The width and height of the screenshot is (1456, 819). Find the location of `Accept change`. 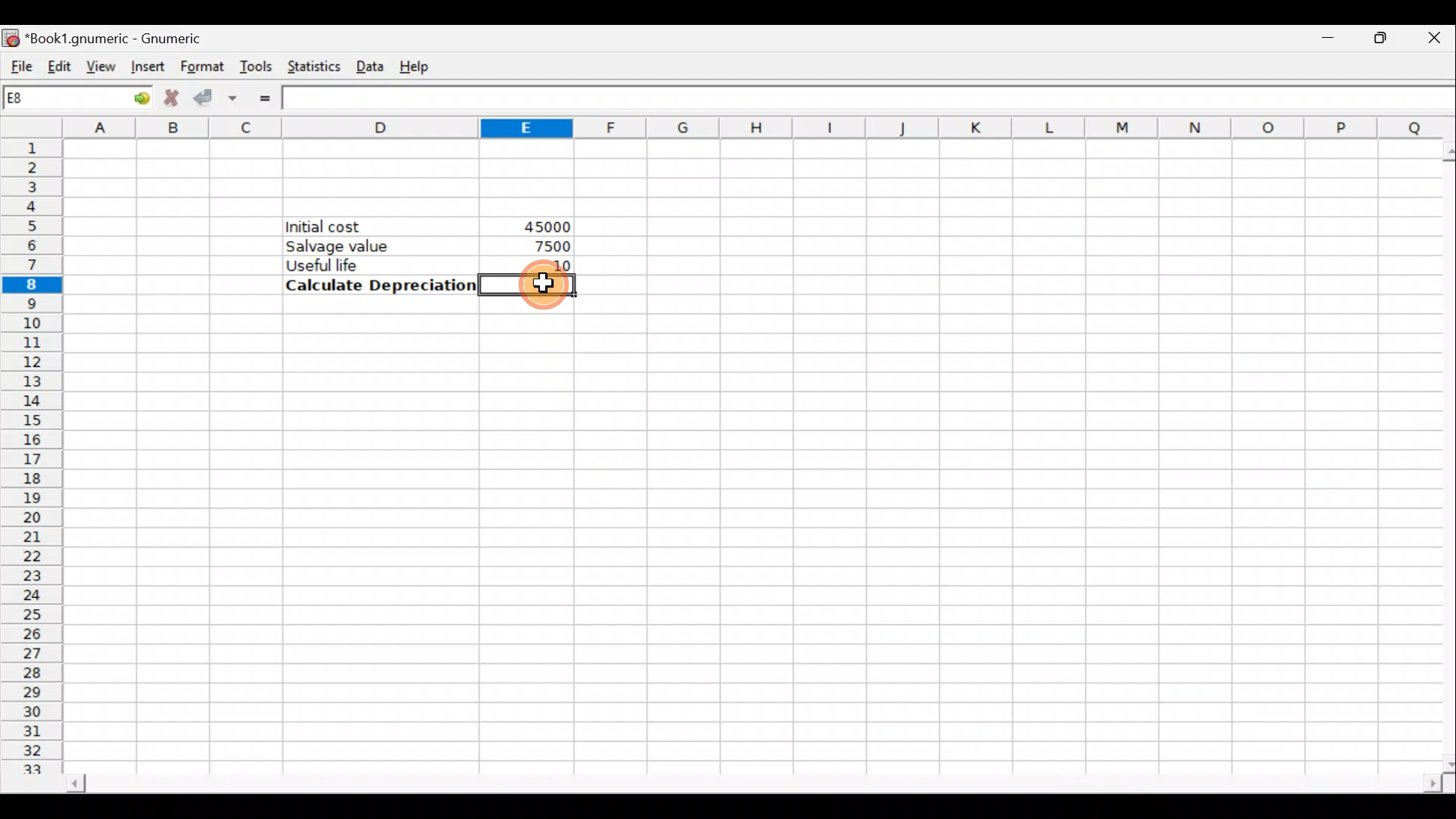

Accept change is located at coordinates (219, 96).